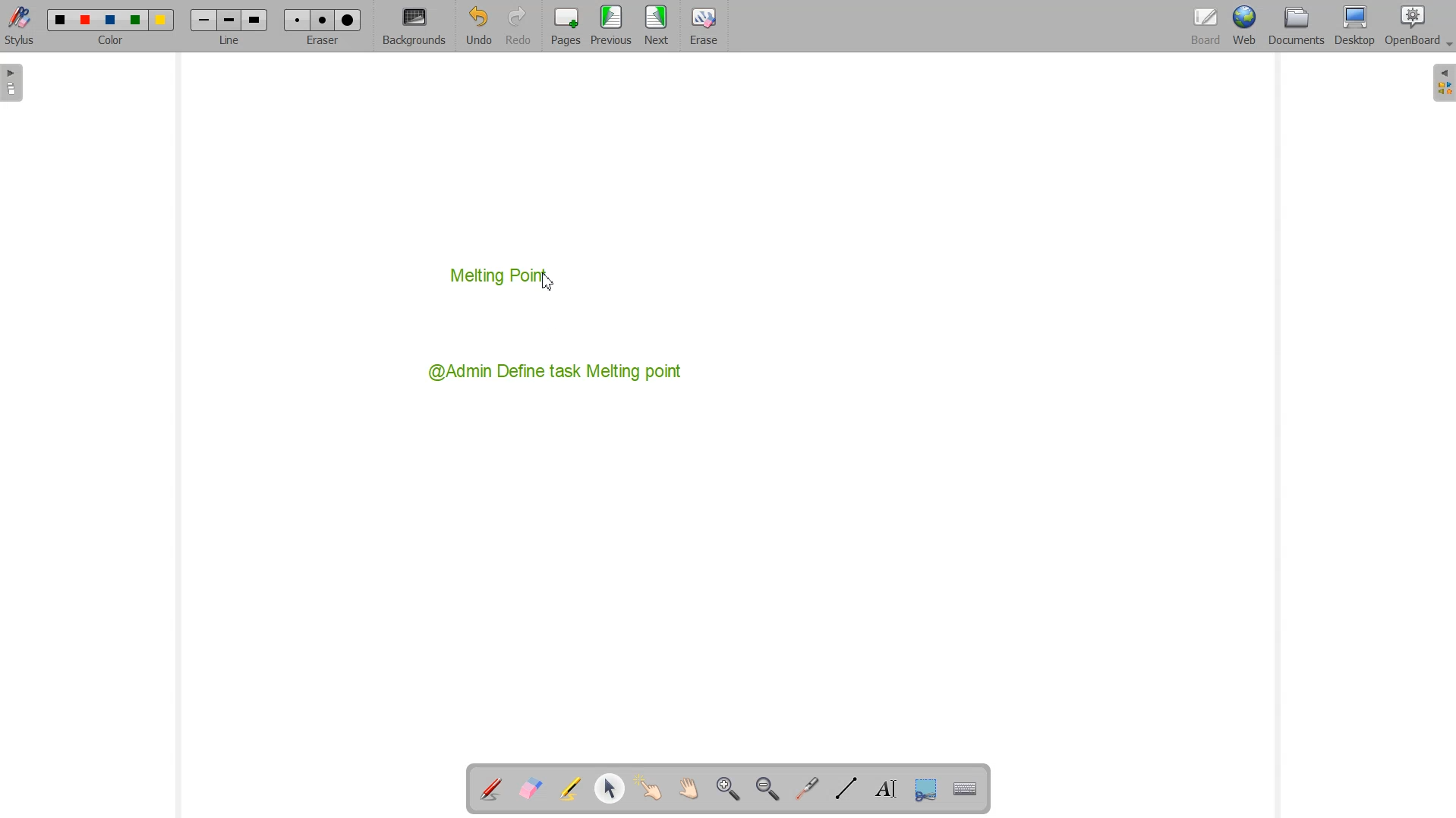 The height and width of the screenshot is (818, 1456). Describe the element at coordinates (767, 788) in the screenshot. I see `Zoom Out` at that location.